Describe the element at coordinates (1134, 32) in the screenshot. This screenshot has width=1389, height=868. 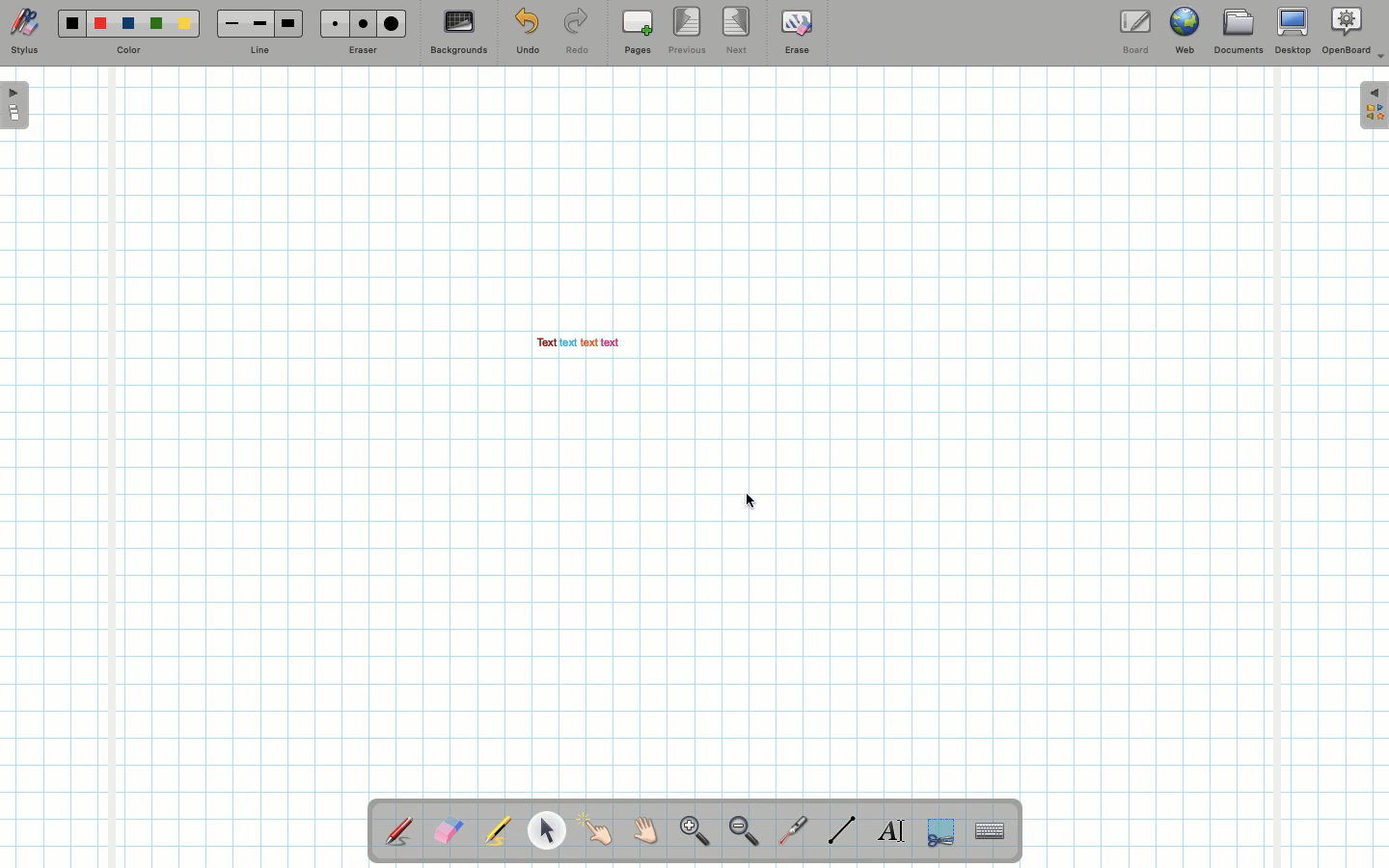
I see `Board` at that location.